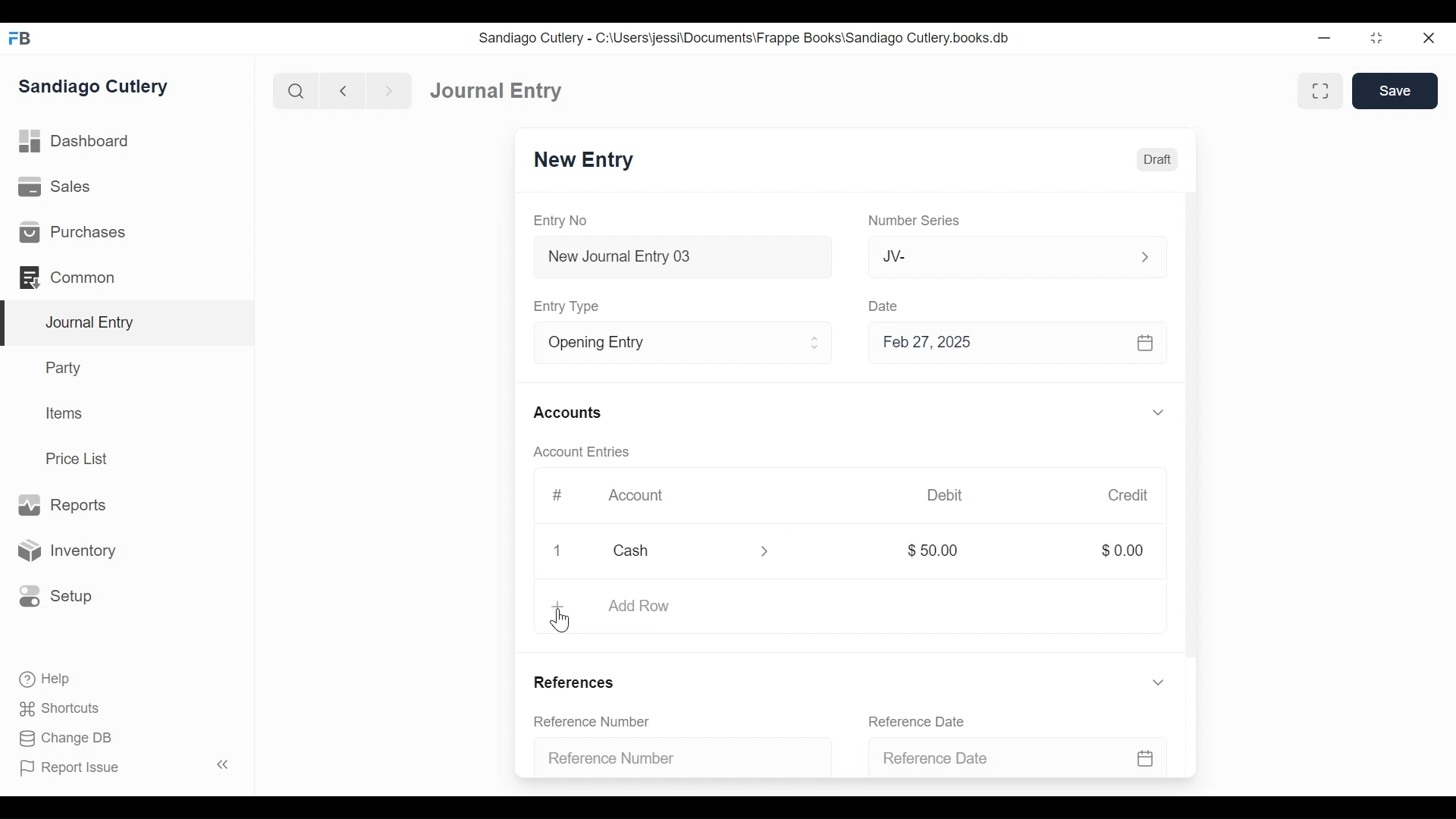 Image resolution: width=1456 pixels, height=819 pixels. What do you see at coordinates (990, 256) in the screenshot?
I see `JV-` at bounding box center [990, 256].